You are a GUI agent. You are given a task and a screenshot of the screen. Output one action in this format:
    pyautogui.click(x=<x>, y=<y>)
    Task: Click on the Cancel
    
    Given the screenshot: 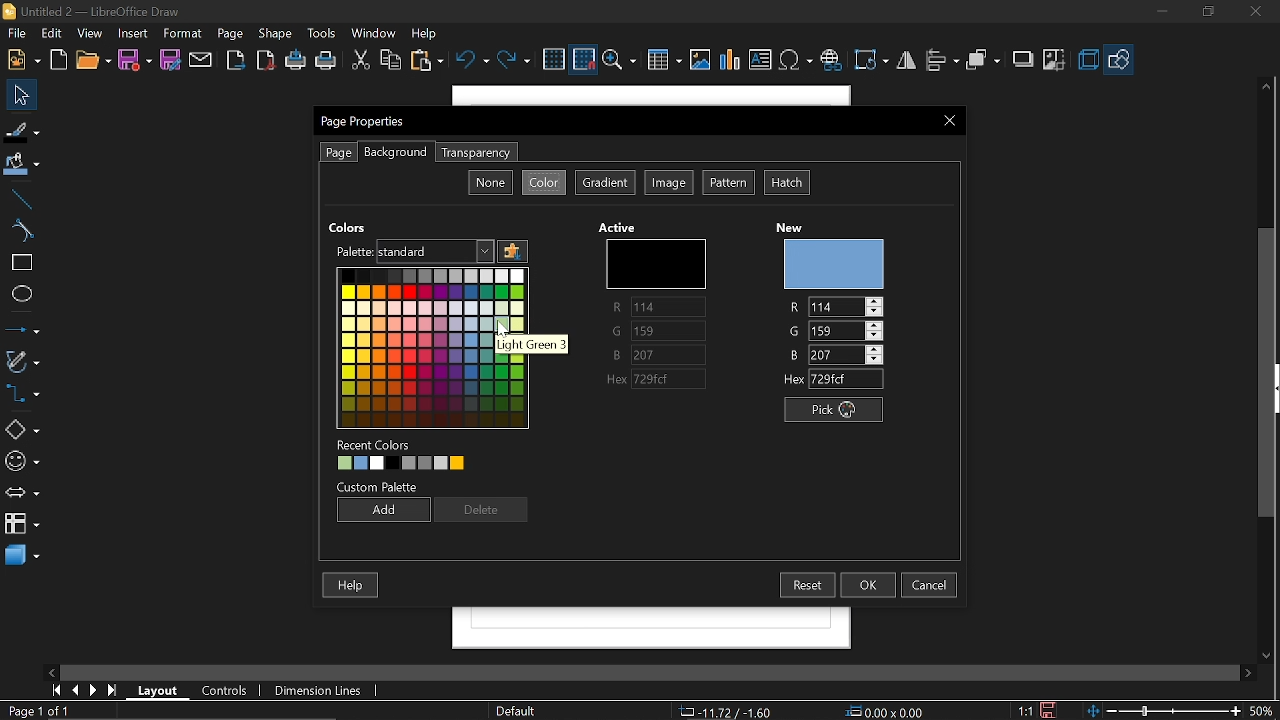 What is the action you would take?
    pyautogui.click(x=931, y=584)
    